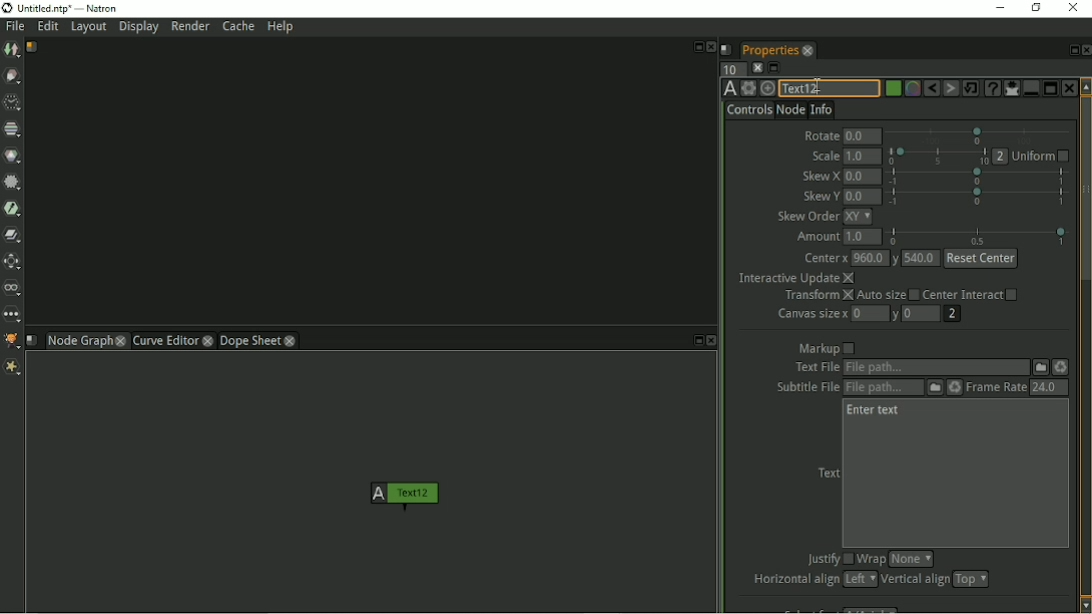  Describe the element at coordinates (49, 28) in the screenshot. I see `Edit` at that location.